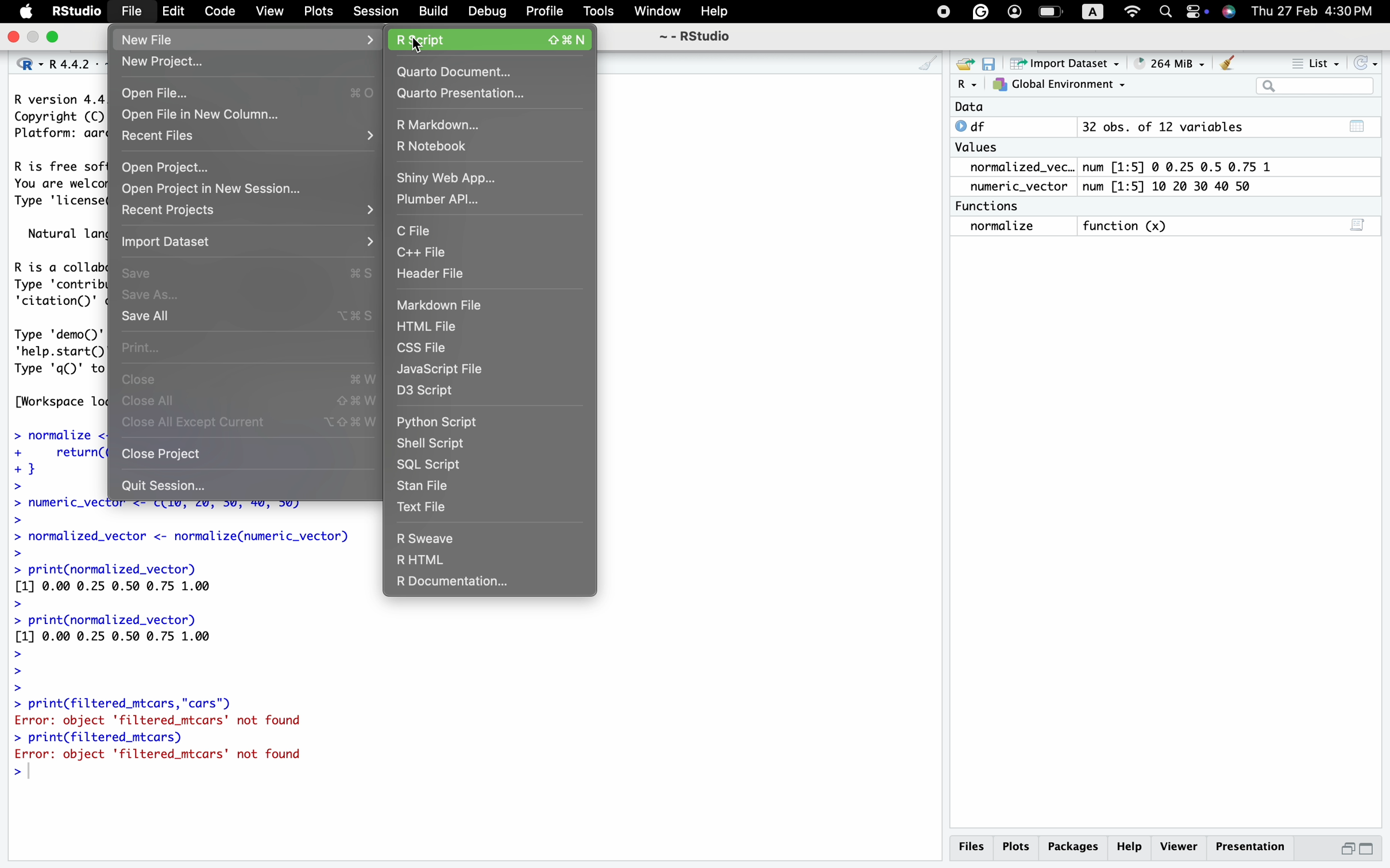  I want to click on Quarto document, so click(488, 71).